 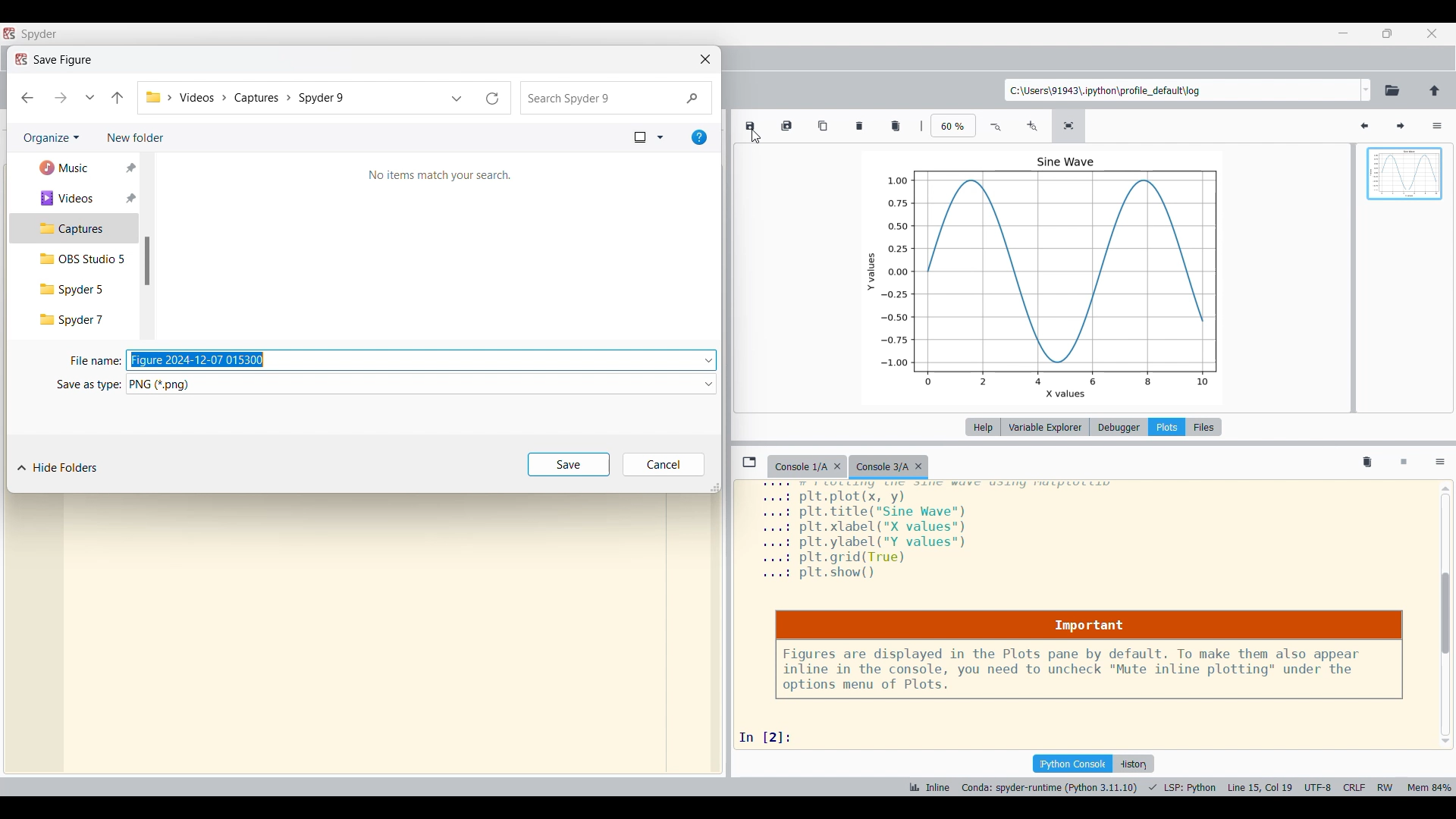 I want to click on Options, so click(x=1438, y=126).